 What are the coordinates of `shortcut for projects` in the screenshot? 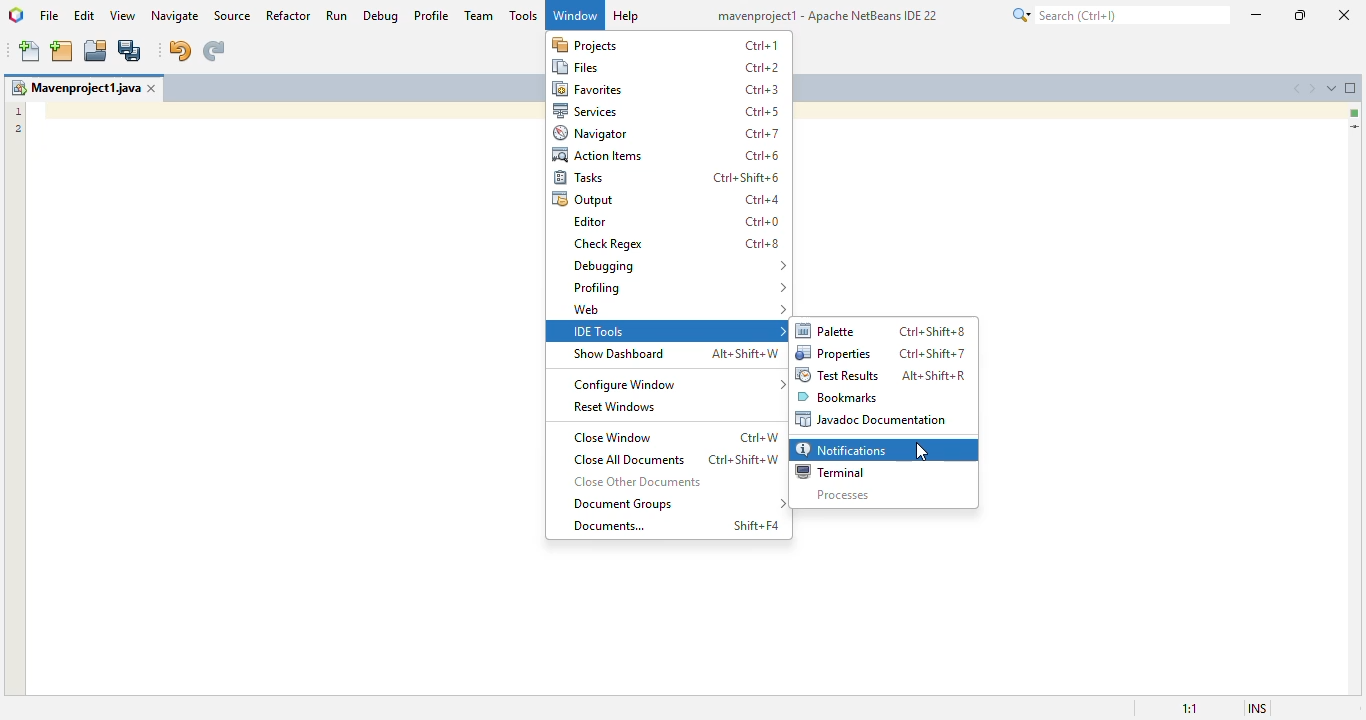 It's located at (761, 46).